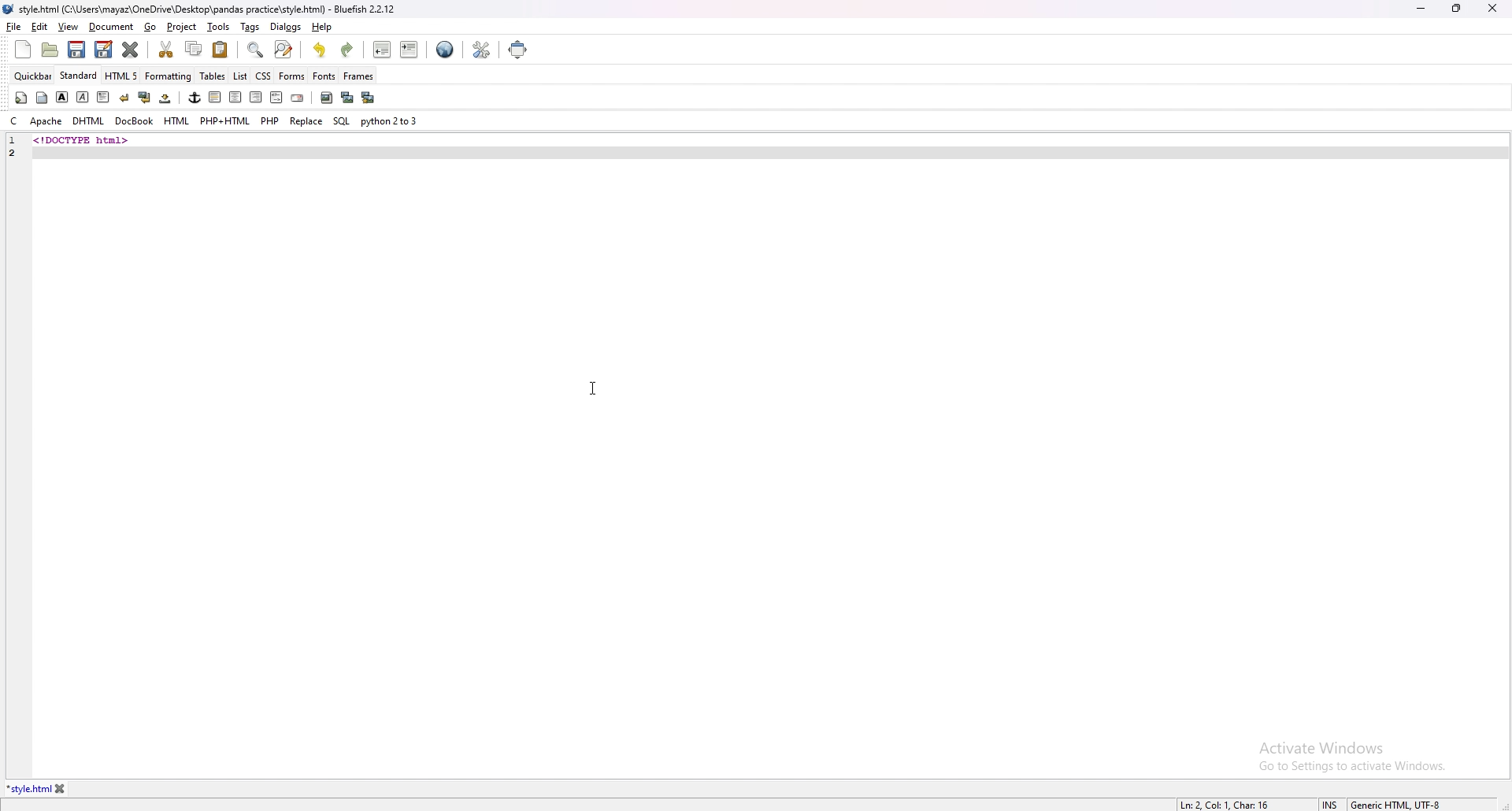 Image resolution: width=1512 pixels, height=811 pixels. Describe the element at coordinates (225, 121) in the screenshot. I see `php+html` at that location.